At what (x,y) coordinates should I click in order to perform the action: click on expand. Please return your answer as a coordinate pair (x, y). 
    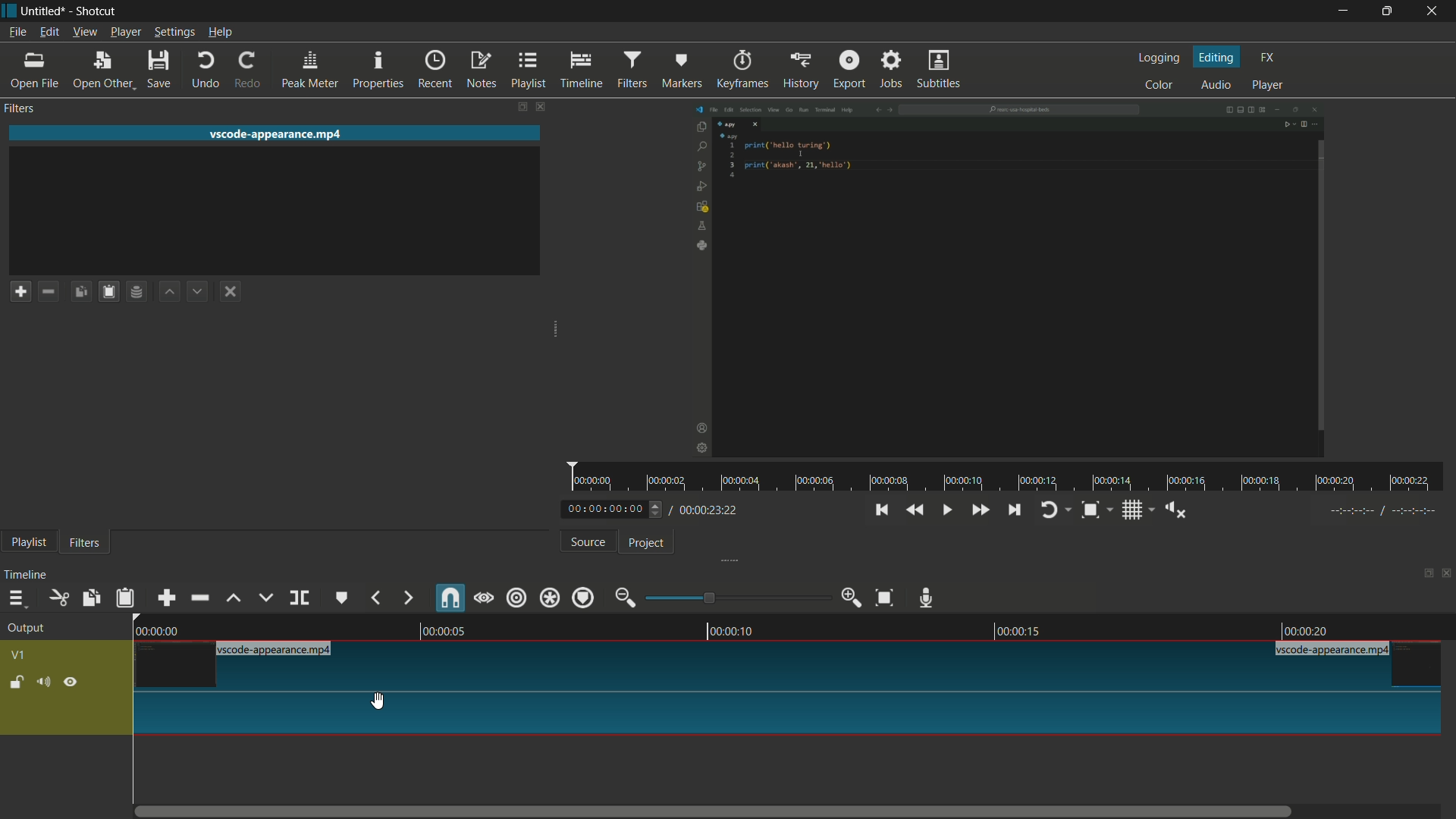
    Looking at the image, I should click on (723, 560).